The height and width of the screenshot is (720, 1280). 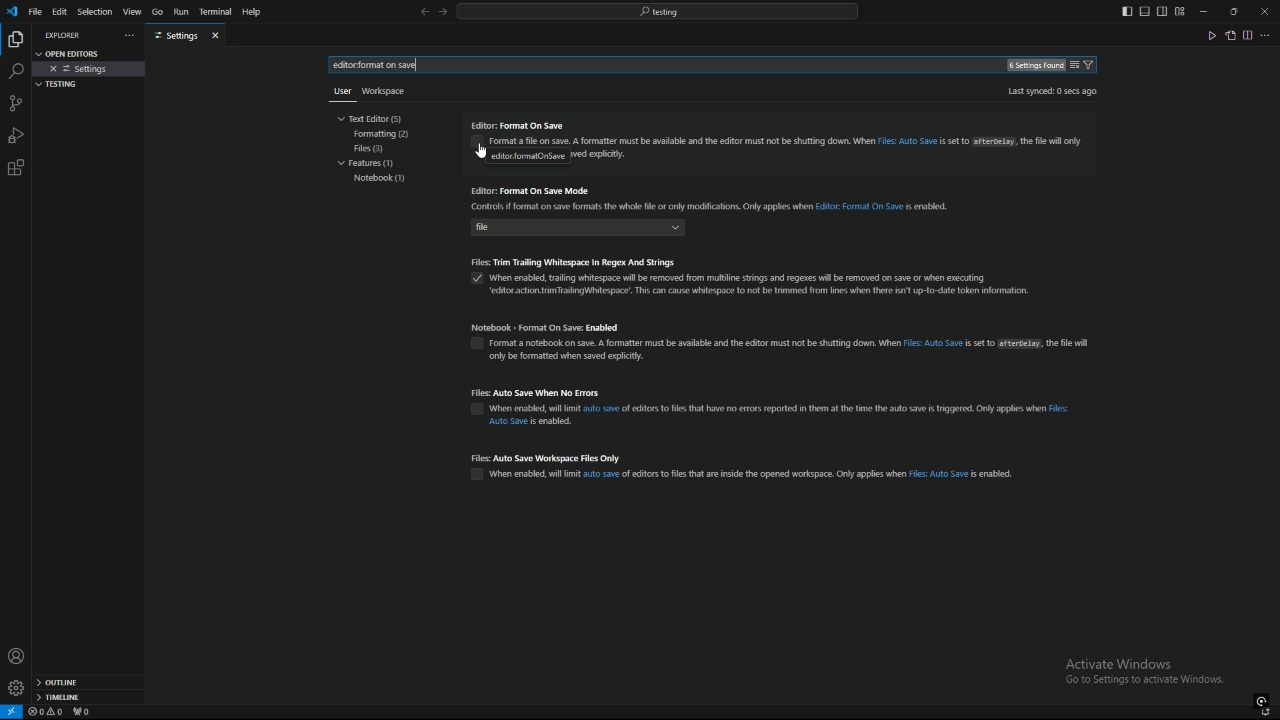 I want to click on timeline, so click(x=88, y=699).